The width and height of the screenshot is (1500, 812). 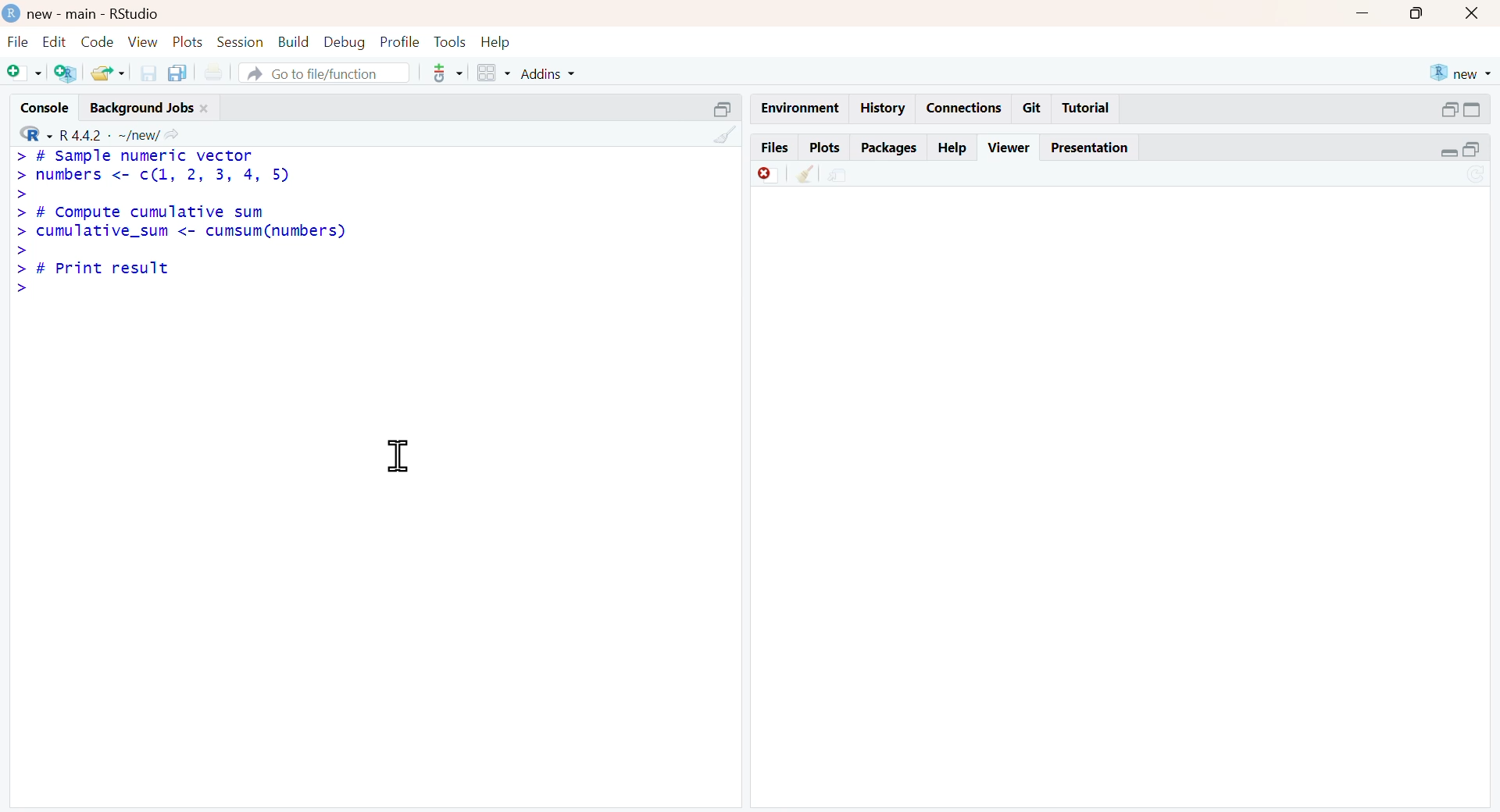 What do you see at coordinates (400, 455) in the screenshot?
I see `cursor` at bounding box center [400, 455].